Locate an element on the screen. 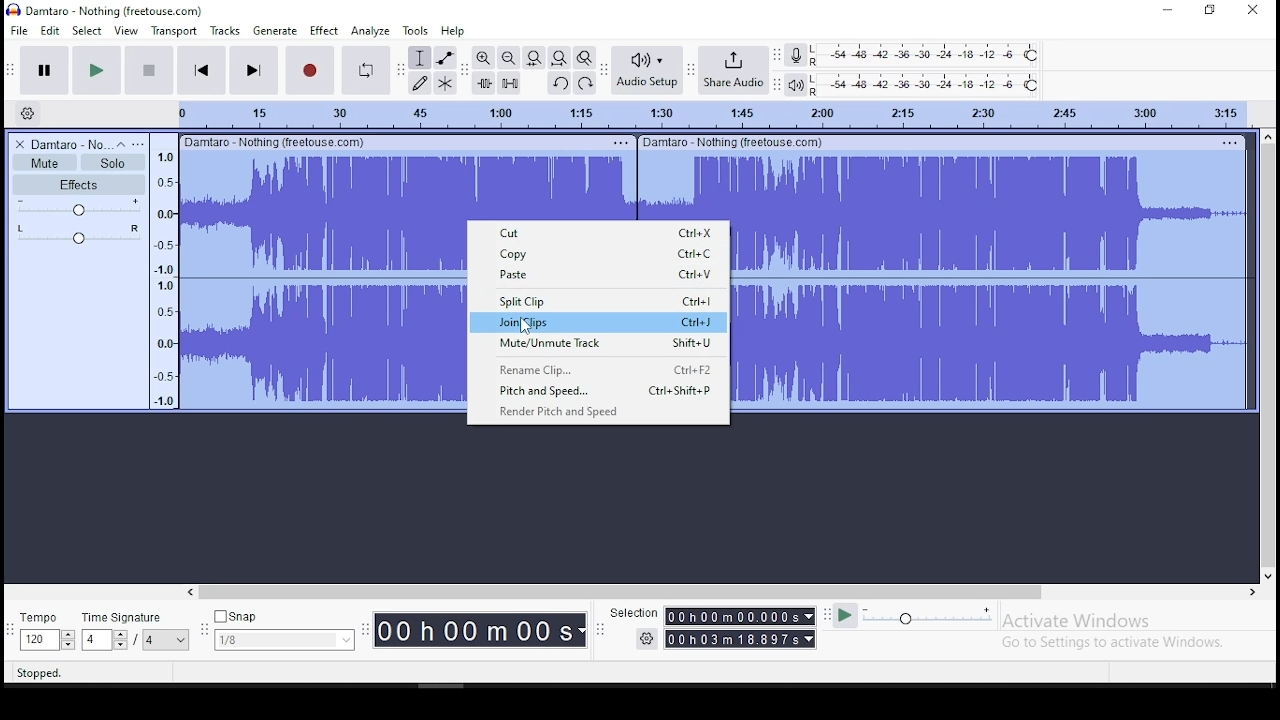  cursor is located at coordinates (524, 327).